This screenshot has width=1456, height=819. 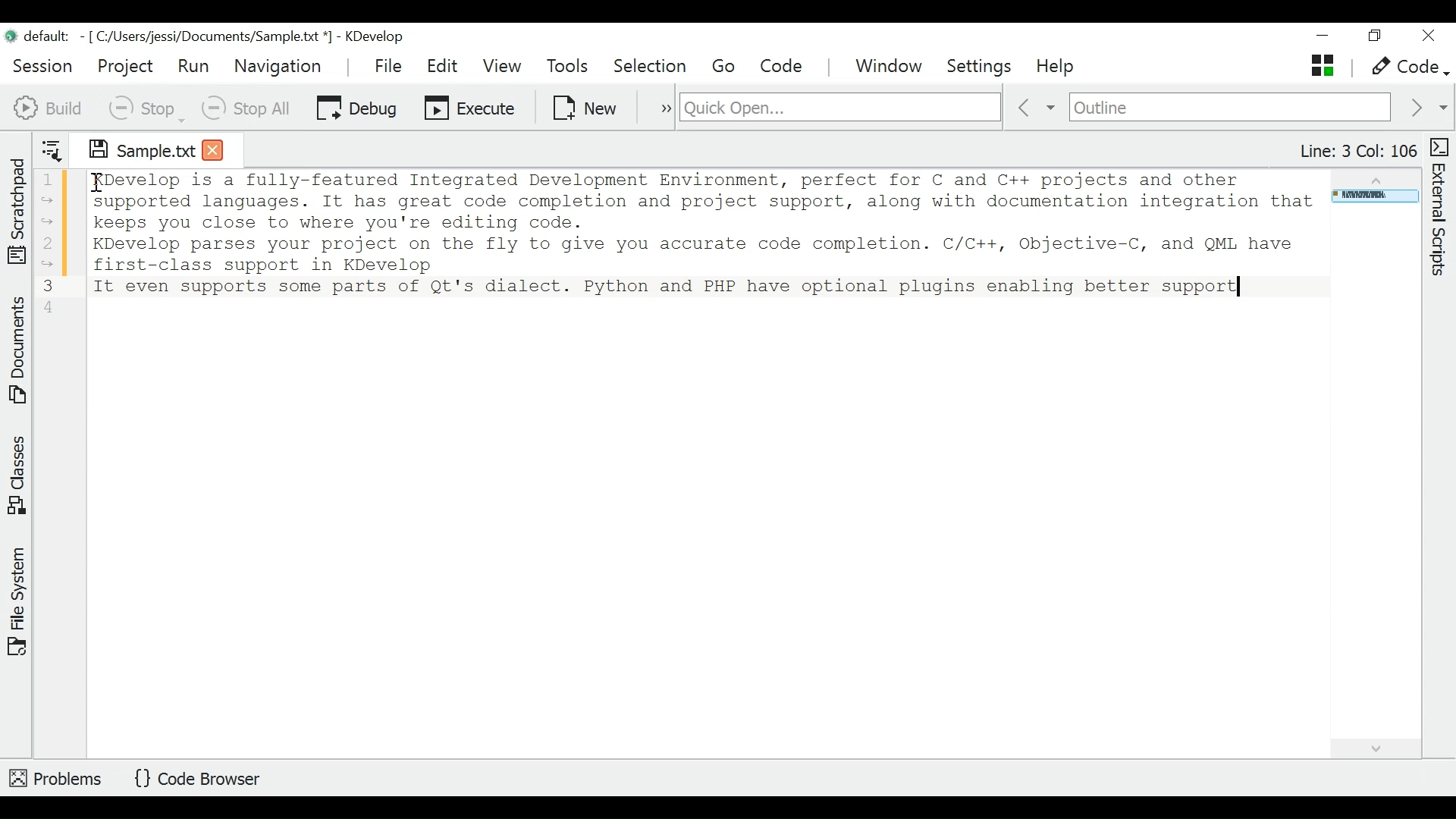 What do you see at coordinates (131, 147) in the screenshot?
I see `Sample.txt` at bounding box center [131, 147].